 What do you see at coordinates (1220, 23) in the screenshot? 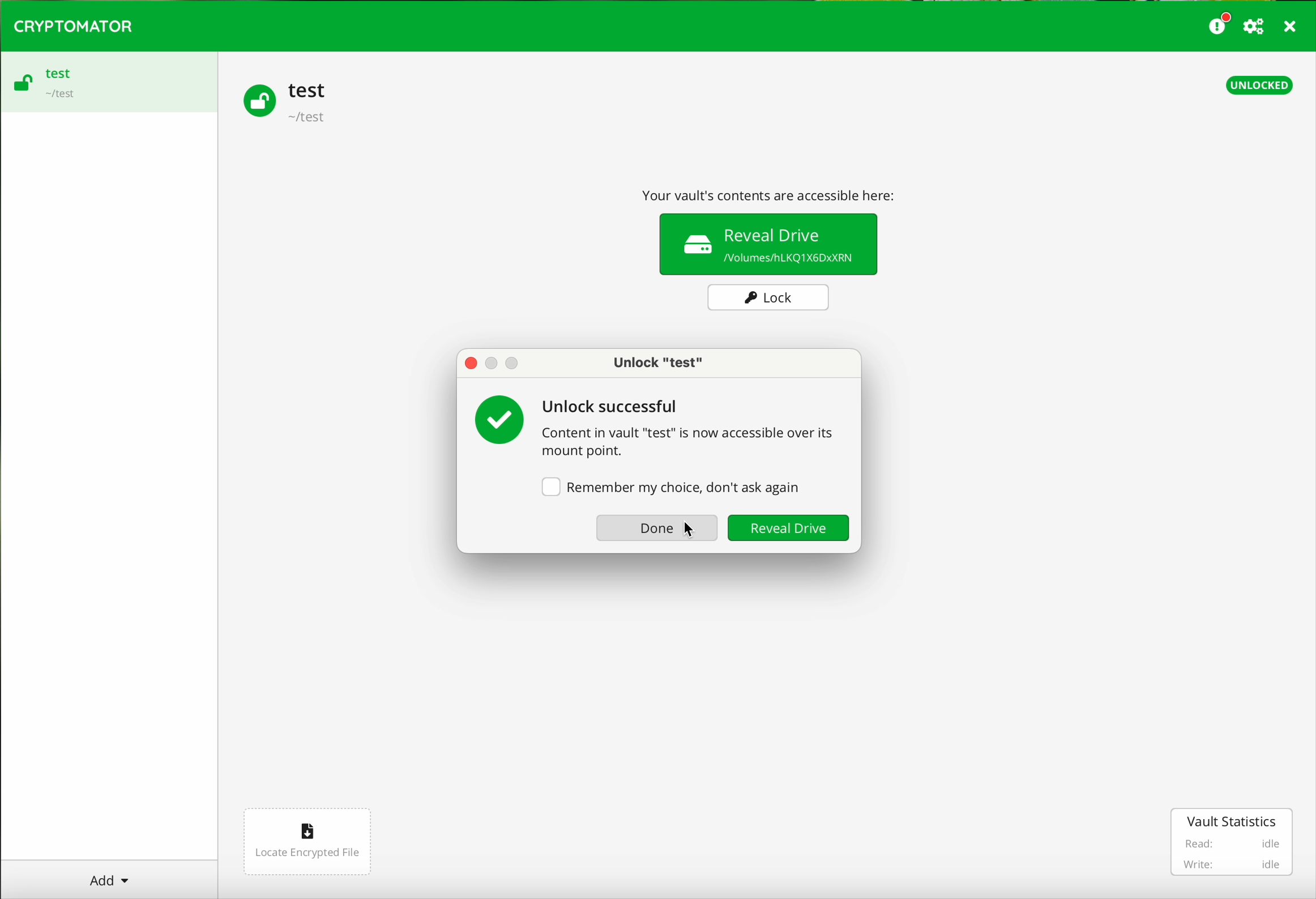
I see `donate` at bounding box center [1220, 23].